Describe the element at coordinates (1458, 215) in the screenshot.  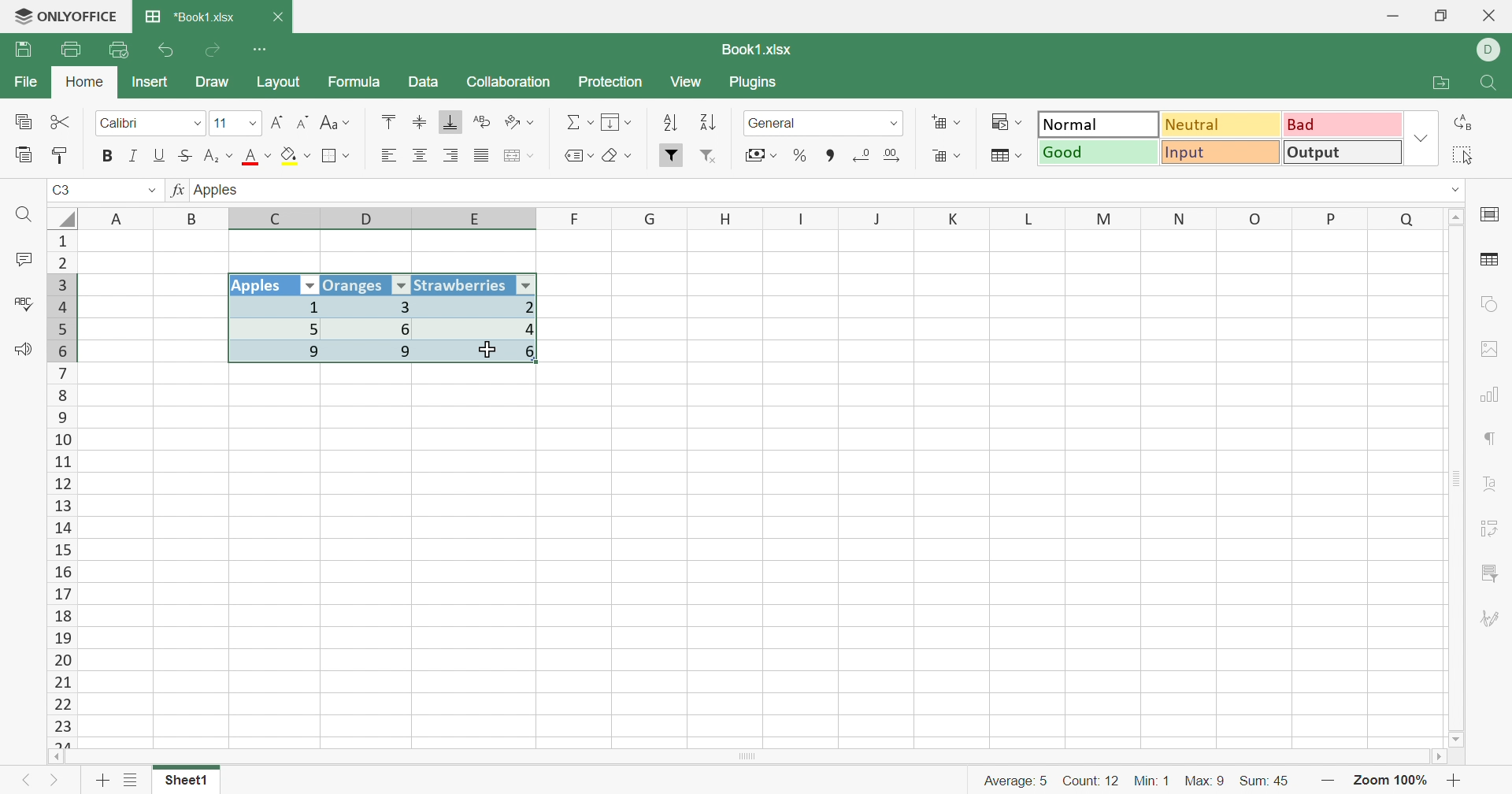
I see `Scroll Up` at that location.